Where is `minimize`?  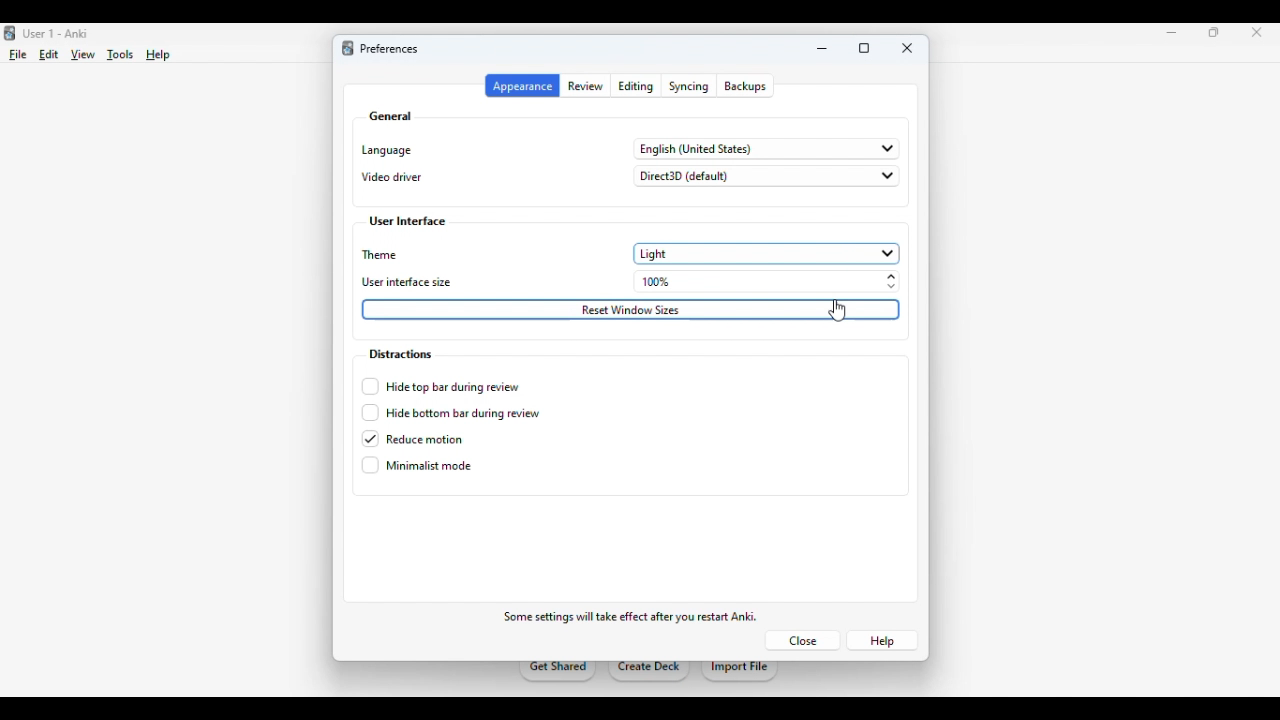 minimize is located at coordinates (823, 49).